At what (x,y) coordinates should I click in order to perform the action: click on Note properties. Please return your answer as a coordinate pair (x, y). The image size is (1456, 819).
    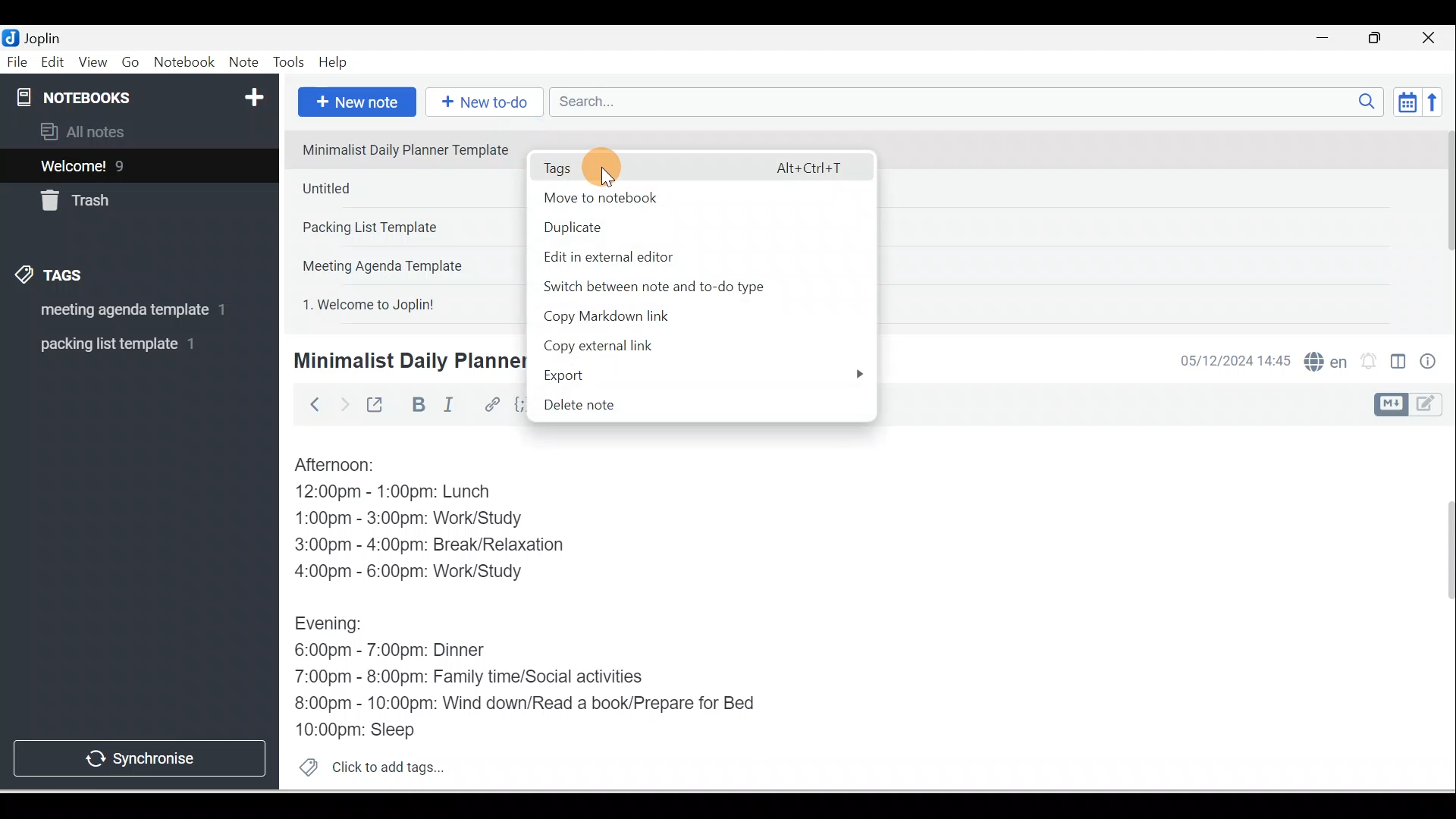
    Looking at the image, I should click on (1429, 363).